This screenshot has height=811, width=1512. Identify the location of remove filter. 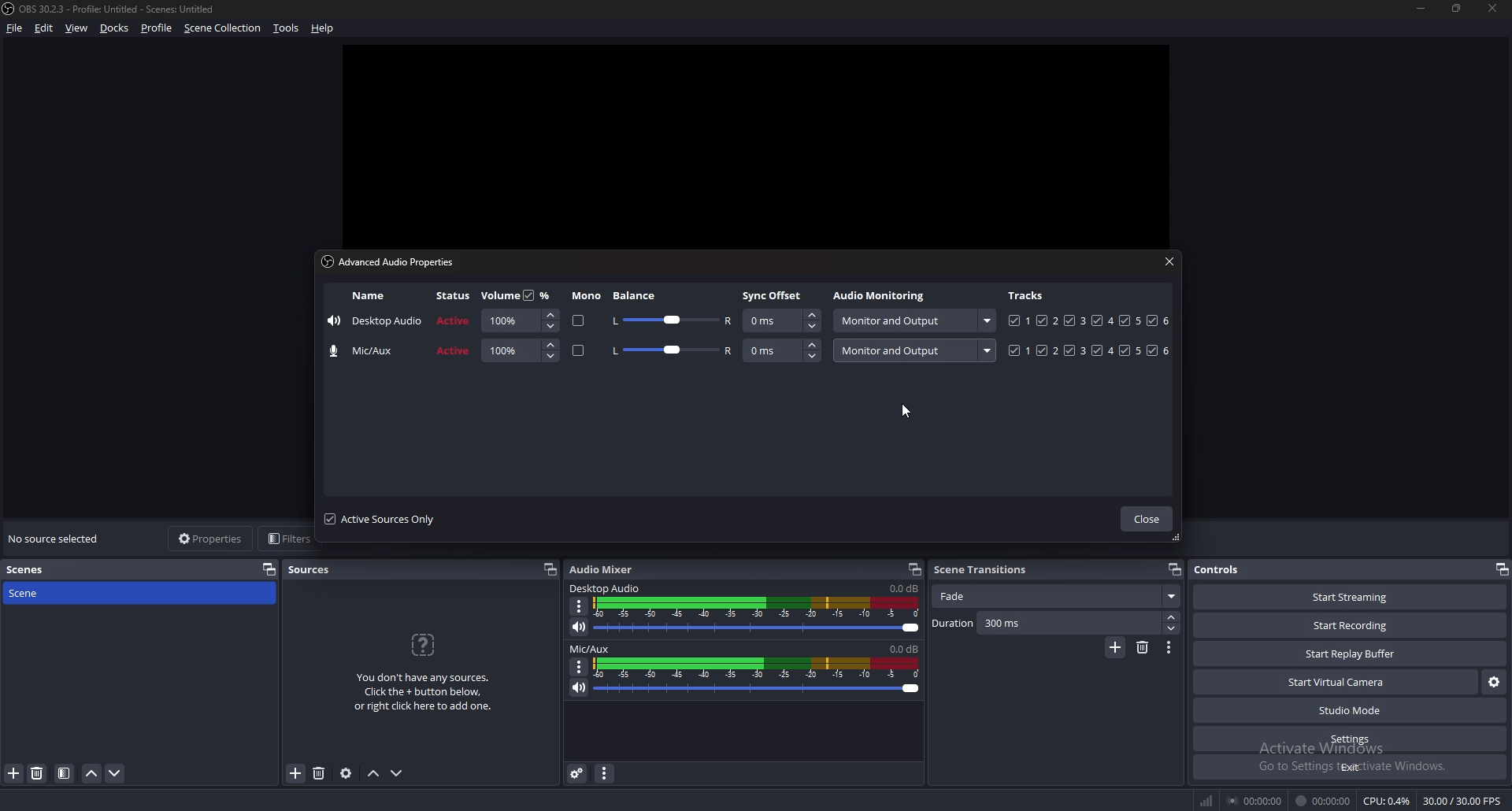
(38, 773).